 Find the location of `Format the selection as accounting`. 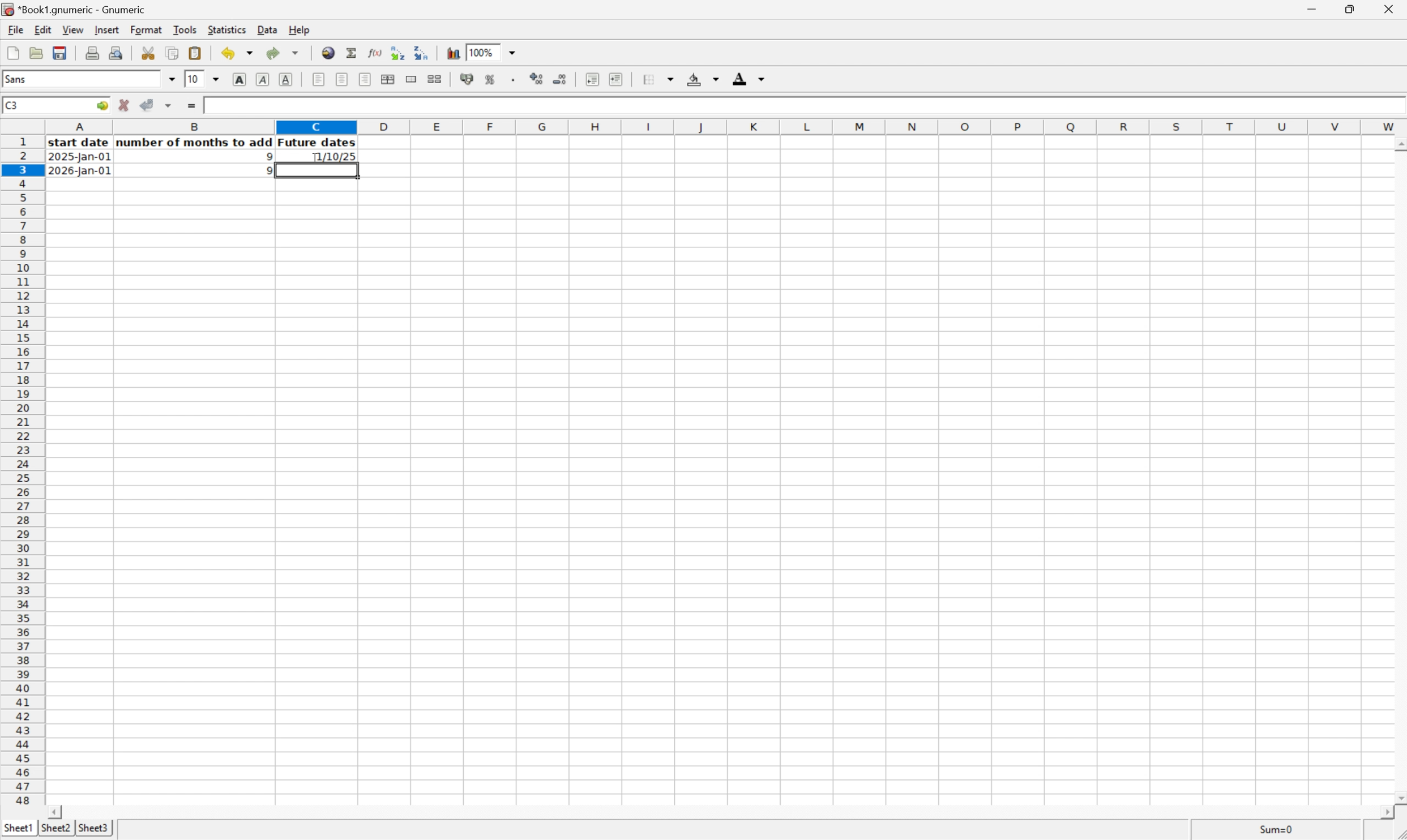

Format the selection as accounting is located at coordinates (465, 79).